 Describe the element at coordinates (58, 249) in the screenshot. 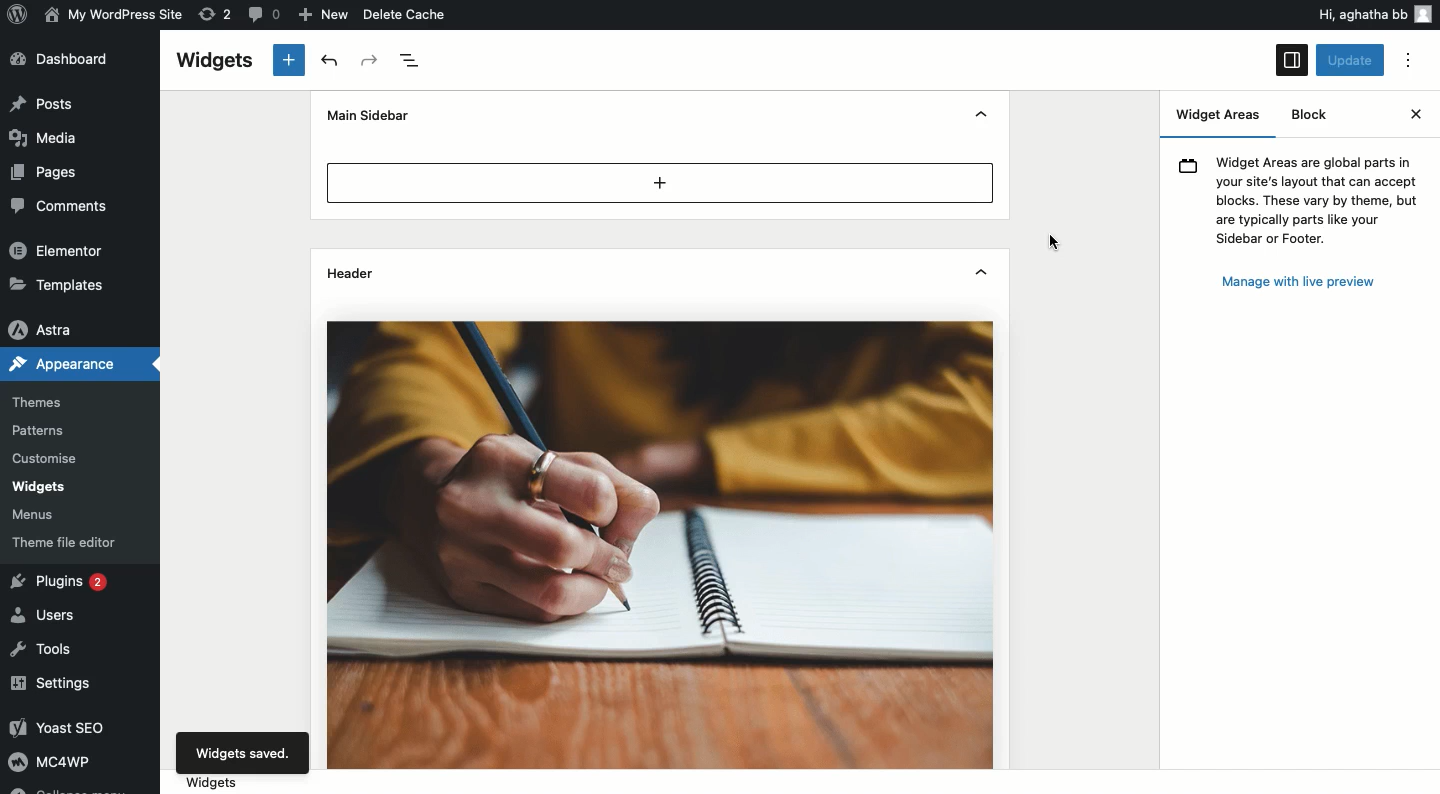

I see `Elementor` at that location.